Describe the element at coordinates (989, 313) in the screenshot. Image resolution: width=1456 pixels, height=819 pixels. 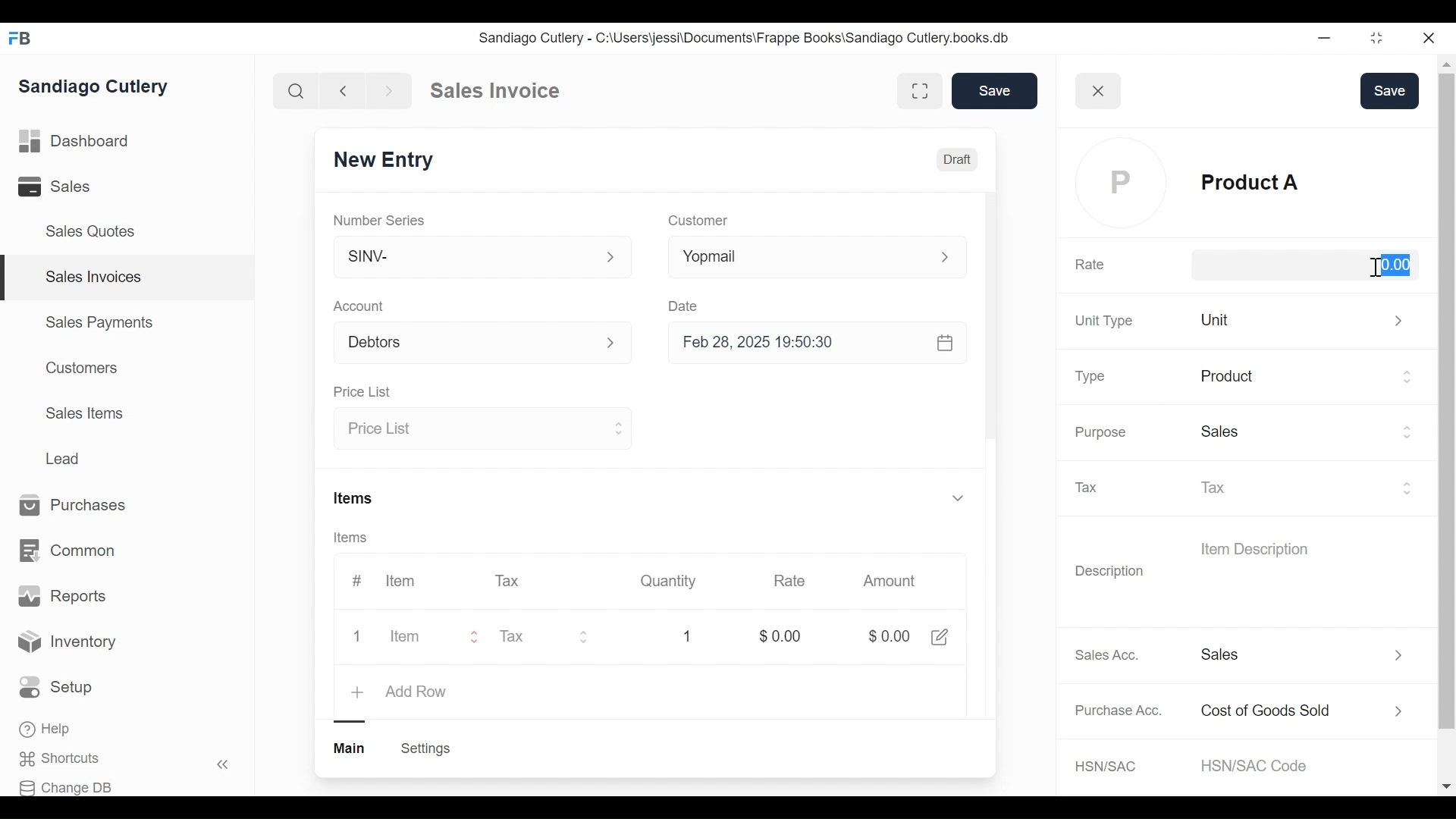
I see `scrollbar` at that location.